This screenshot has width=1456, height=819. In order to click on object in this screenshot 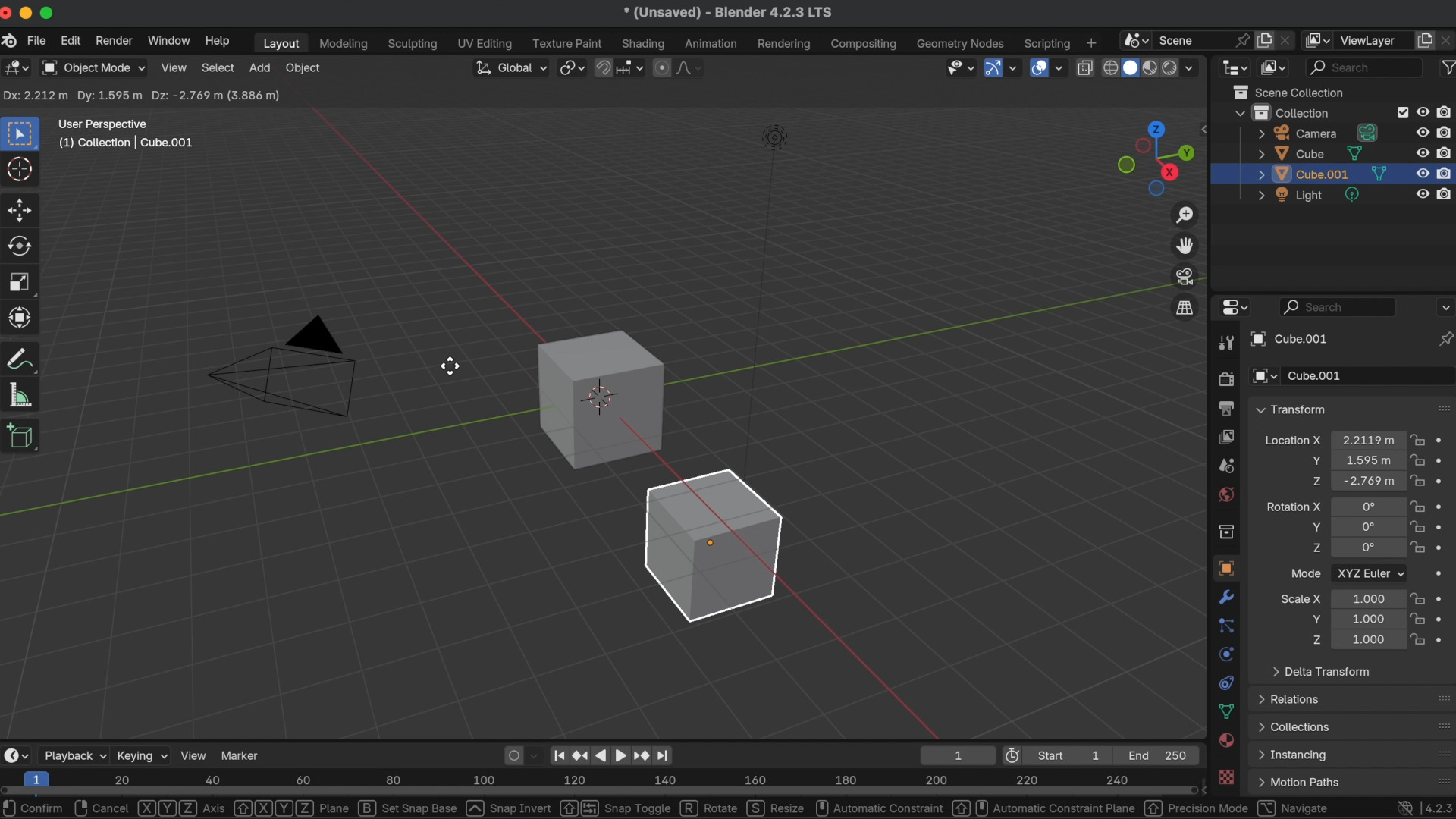, I will do `click(305, 69)`.